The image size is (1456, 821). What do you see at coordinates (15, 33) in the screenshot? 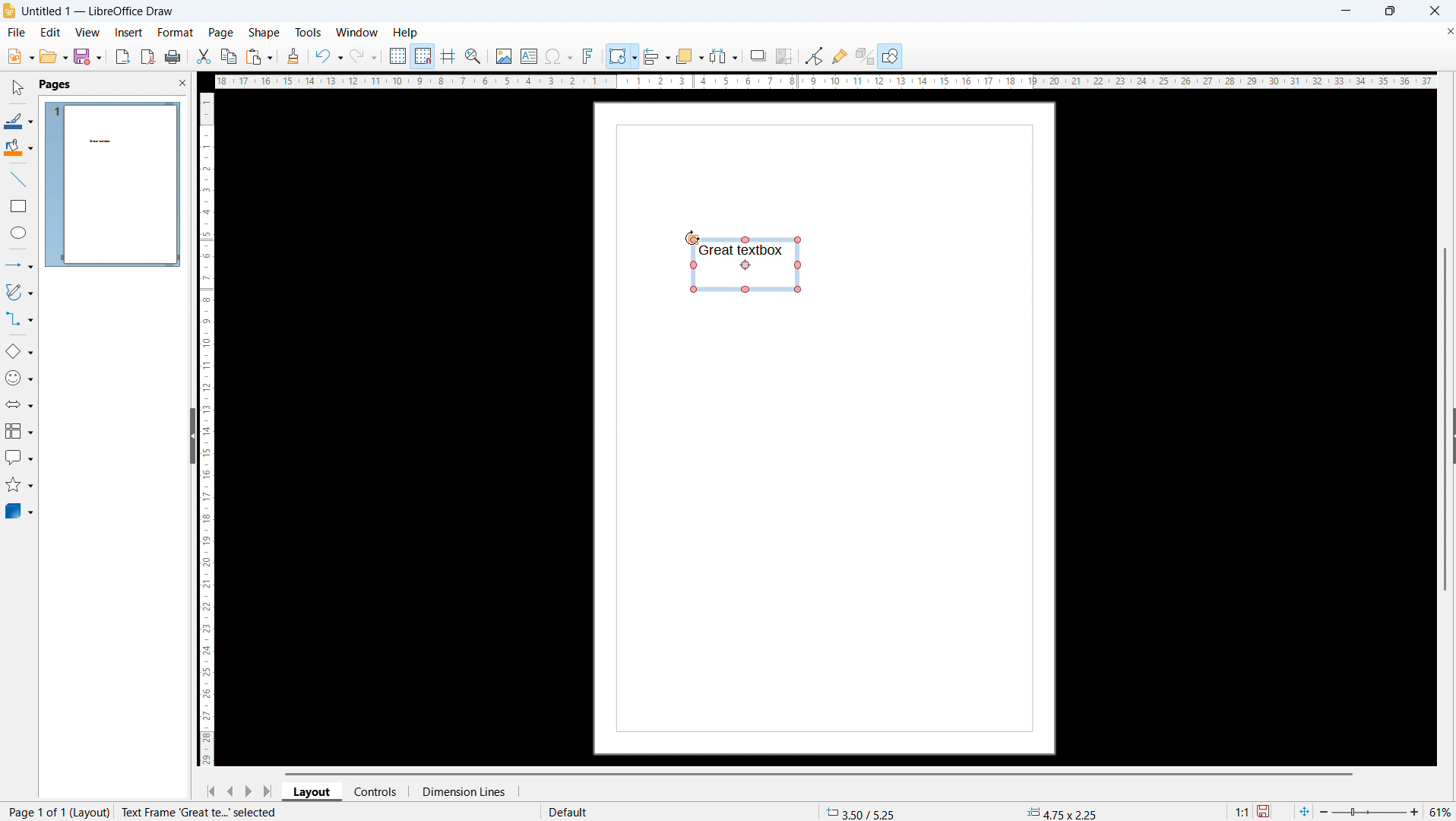
I see `file` at bounding box center [15, 33].